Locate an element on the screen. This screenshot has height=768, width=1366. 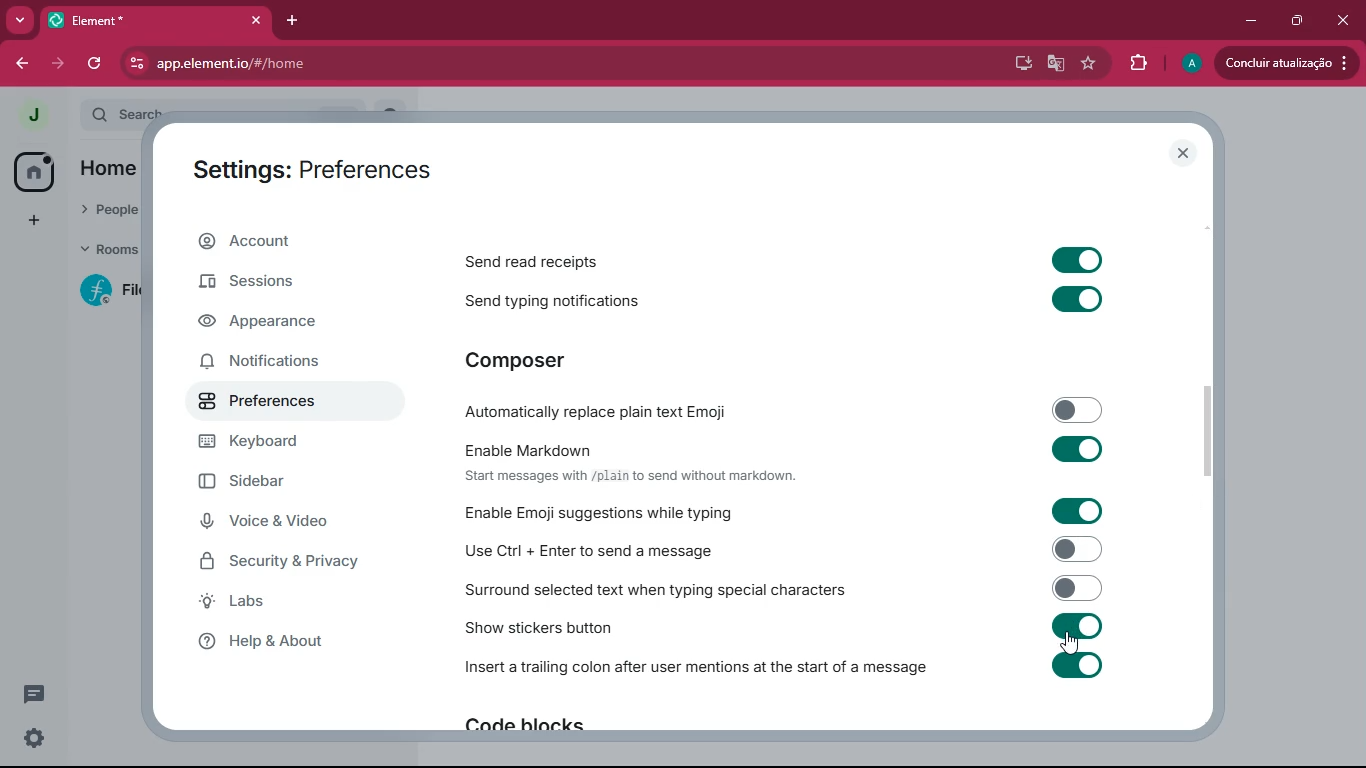
labs is located at coordinates (277, 604).